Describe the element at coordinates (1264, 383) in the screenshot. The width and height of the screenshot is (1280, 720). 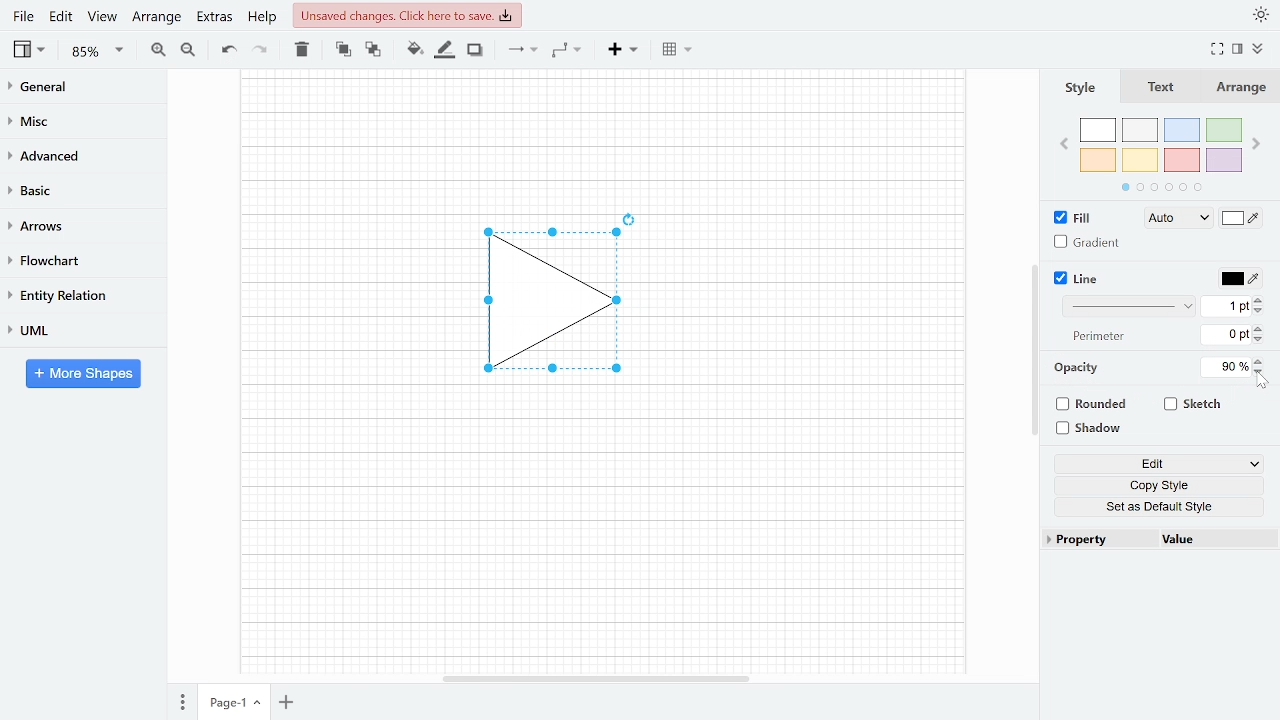
I see `cursor` at that location.